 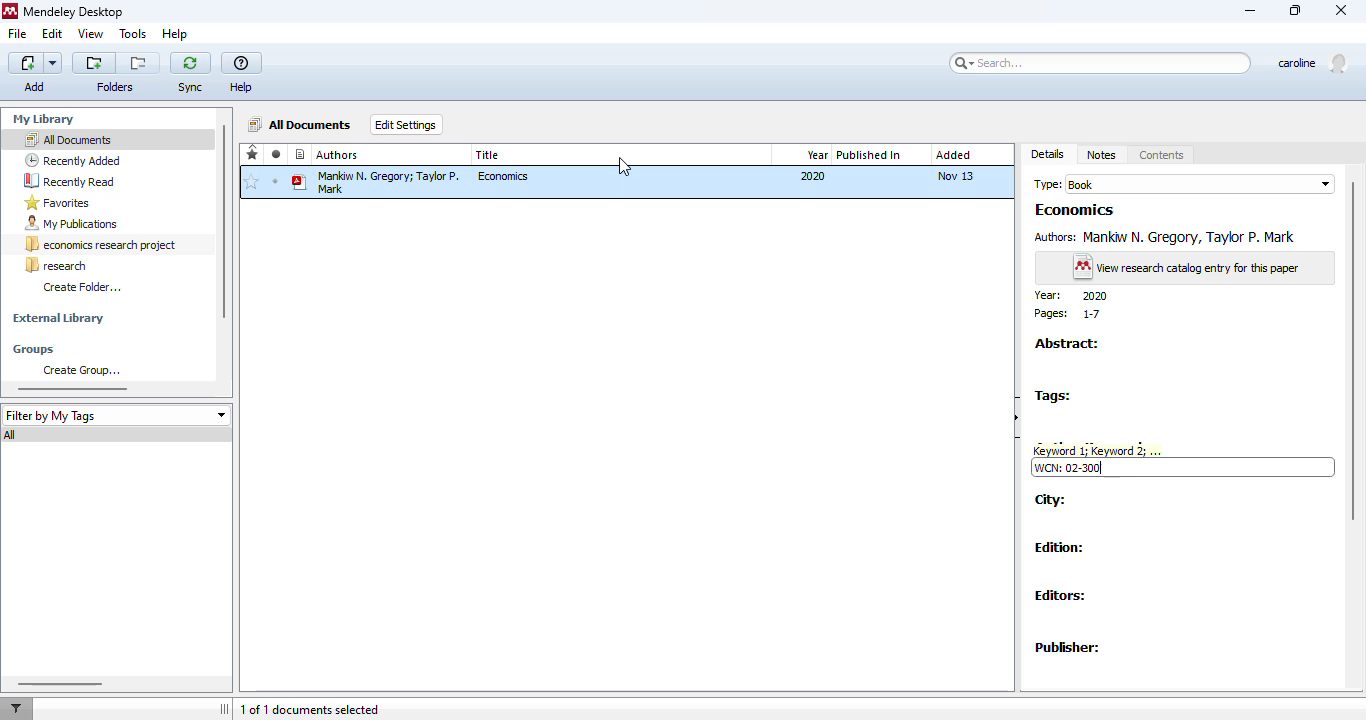 I want to click on external library, so click(x=59, y=317).